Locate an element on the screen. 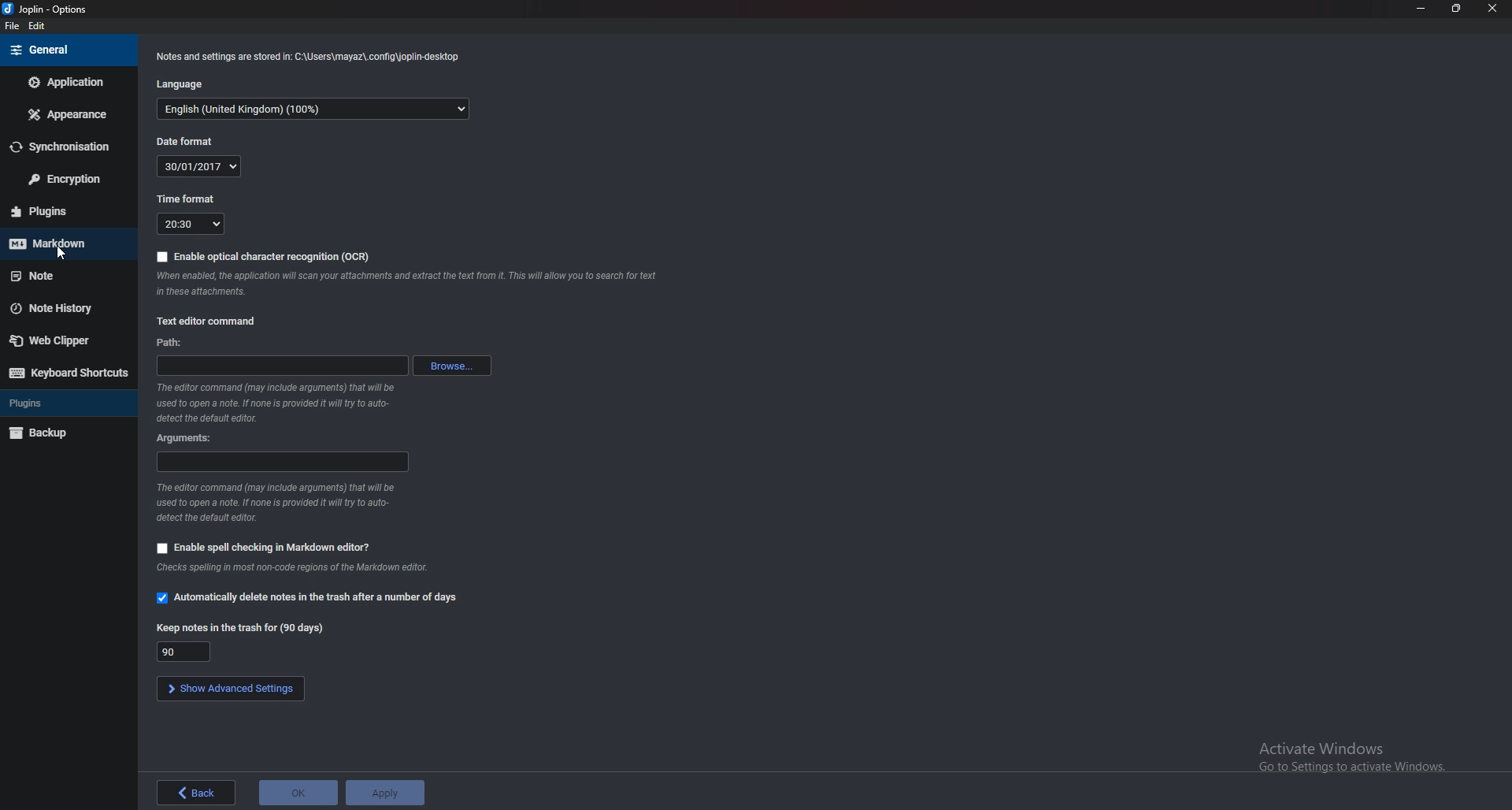 This screenshot has width=1512, height=810. Info is located at coordinates (276, 503).